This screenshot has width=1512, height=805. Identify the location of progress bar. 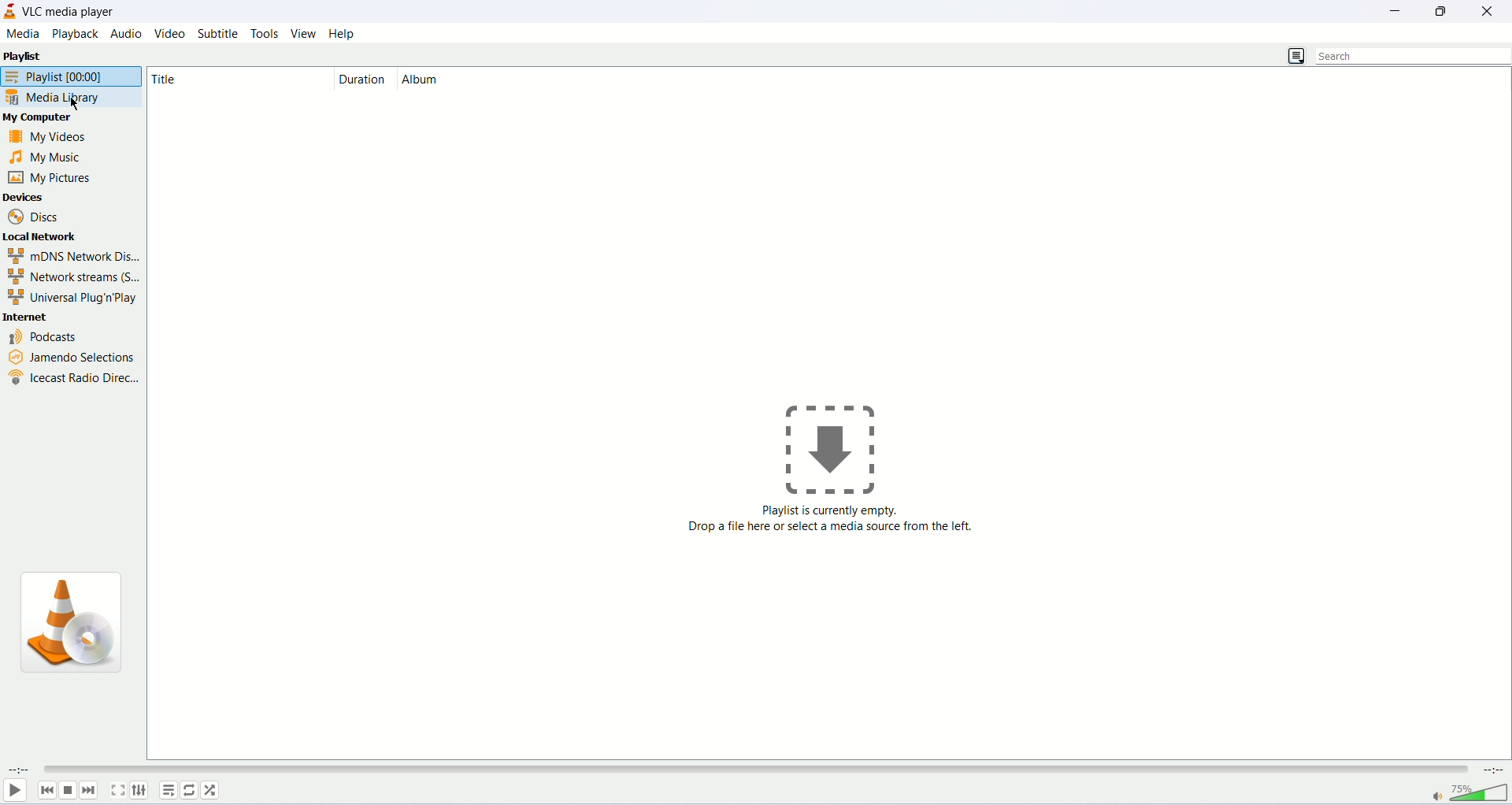
(753, 770).